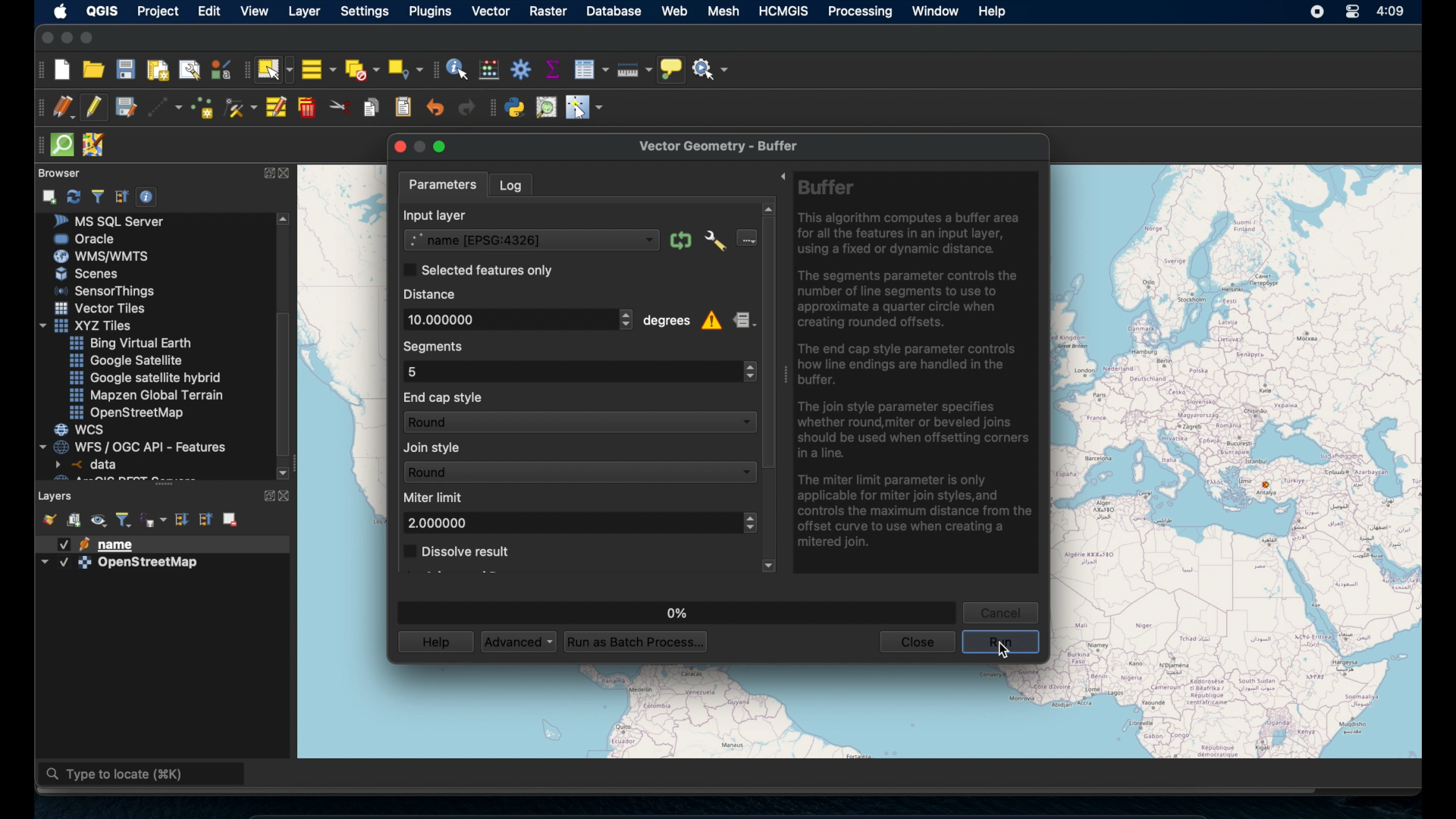 Image resolution: width=1456 pixels, height=819 pixels. Describe the element at coordinates (768, 207) in the screenshot. I see `scroll up arrow` at that location.